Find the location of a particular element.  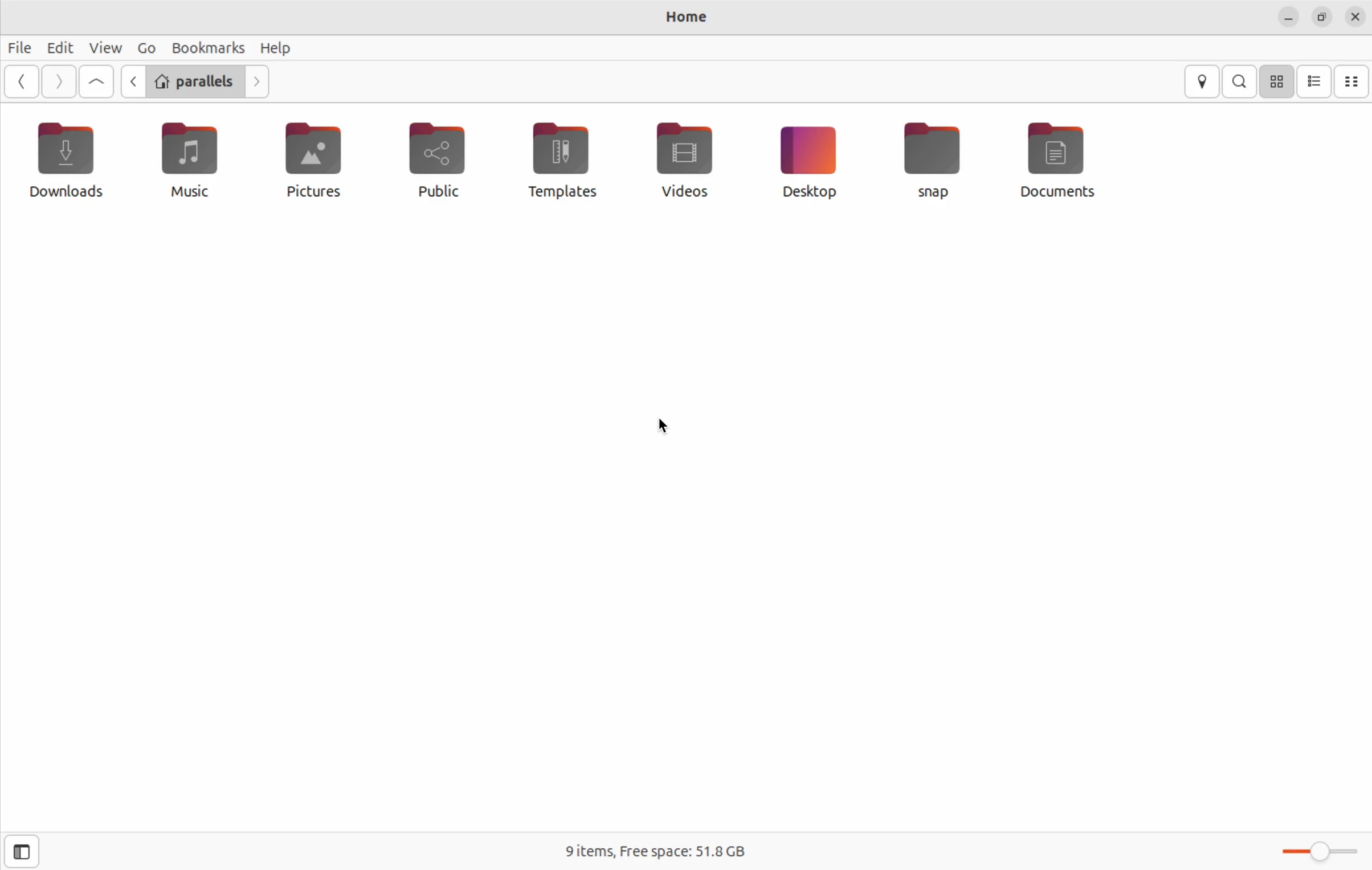

public file is located at coordinates (439, 159).